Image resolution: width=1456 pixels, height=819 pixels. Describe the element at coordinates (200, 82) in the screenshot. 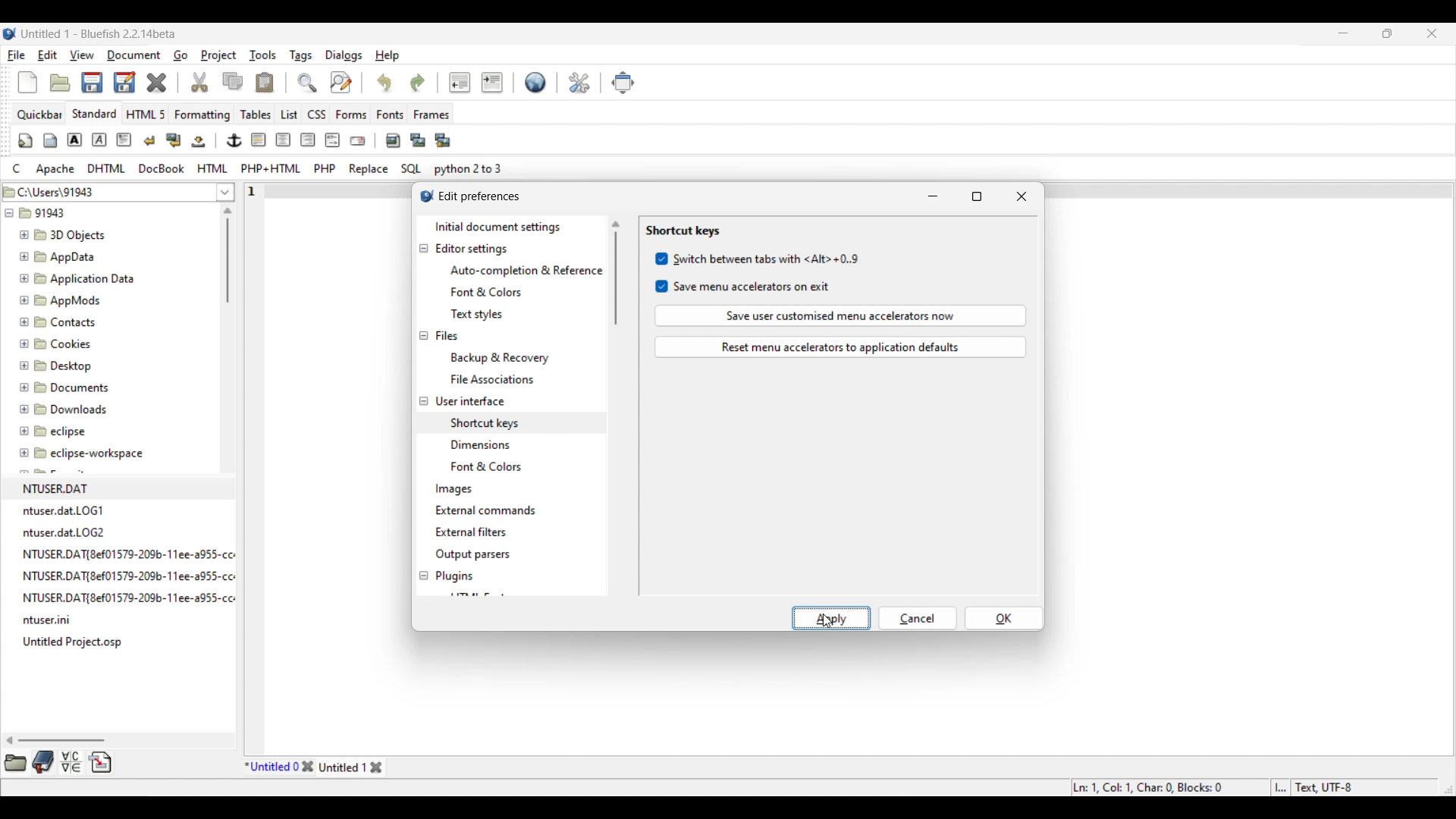

I see `Cut` at that location.